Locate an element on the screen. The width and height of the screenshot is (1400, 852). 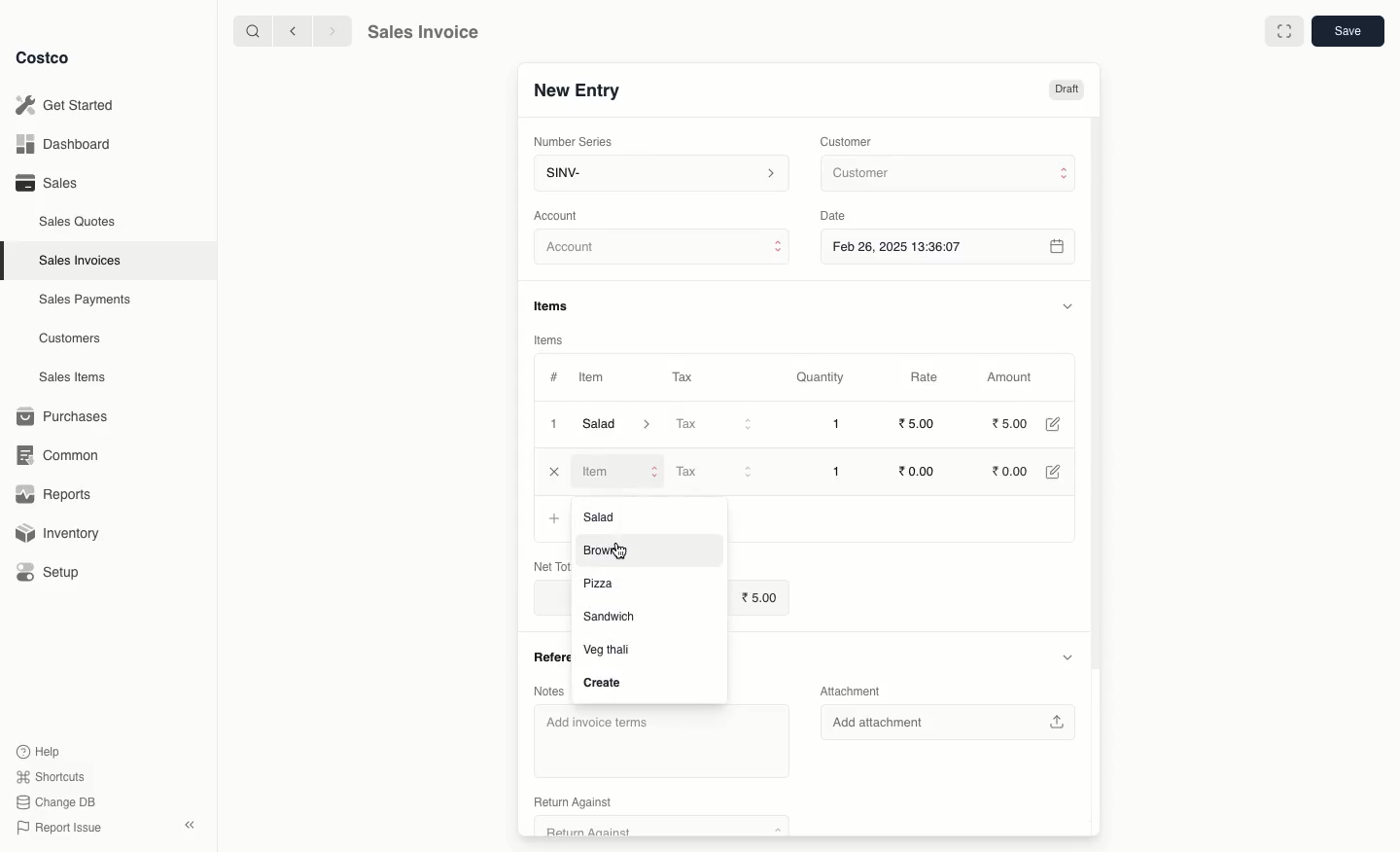
Date is located at coordinates (838, 216).